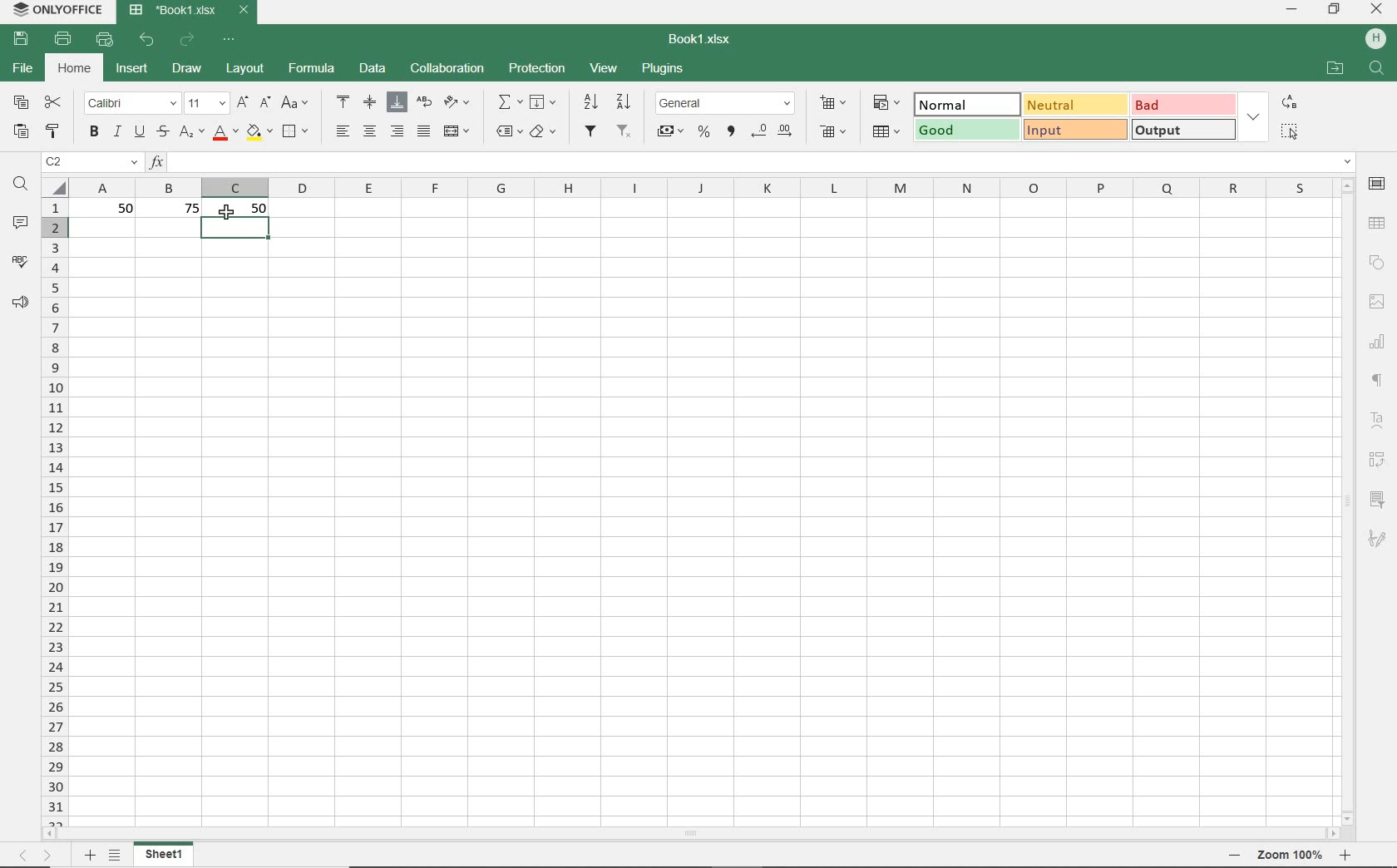  What do you see at coordinates (1253, 116) in the screenshot?
I see `expand` at bounding box center [1253, 116].